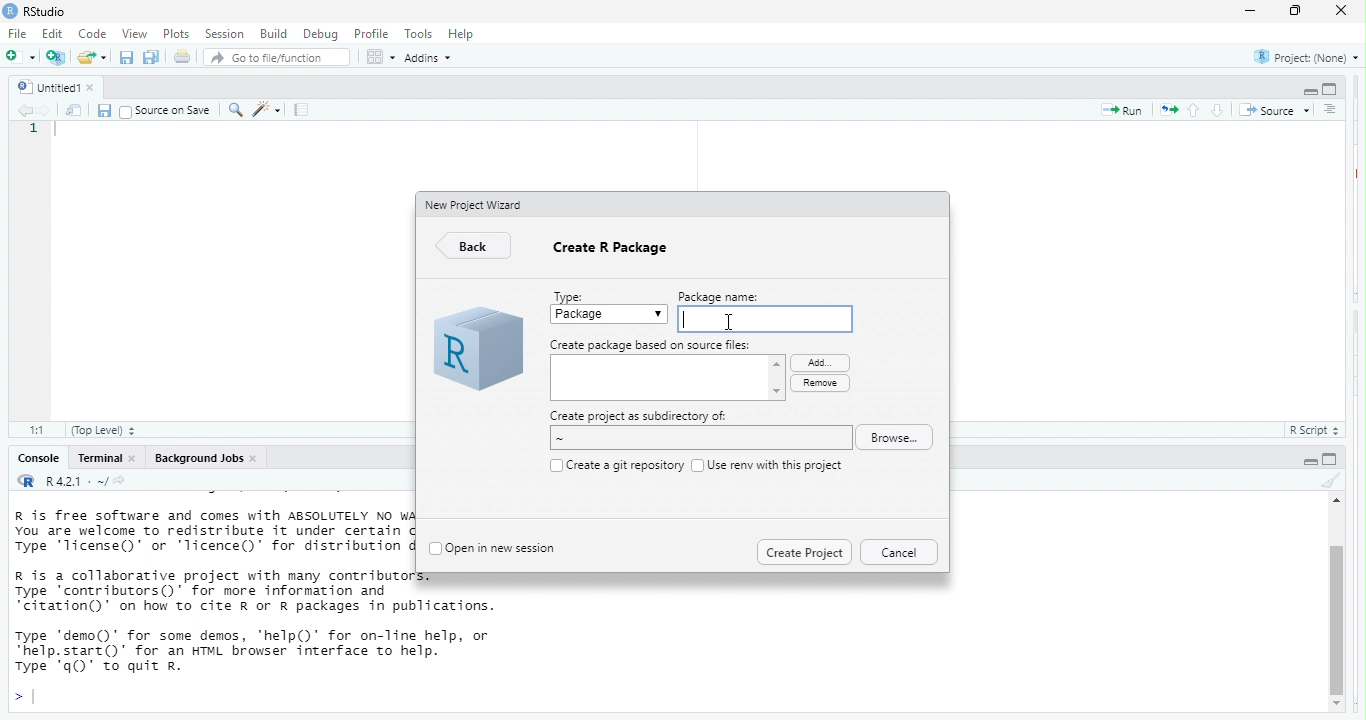 This screenshot has width=1366, height=720. What do you see at coordinates (476, 351) in the screenshot?
I see `r studio logo` at bounding box center [476, 351].